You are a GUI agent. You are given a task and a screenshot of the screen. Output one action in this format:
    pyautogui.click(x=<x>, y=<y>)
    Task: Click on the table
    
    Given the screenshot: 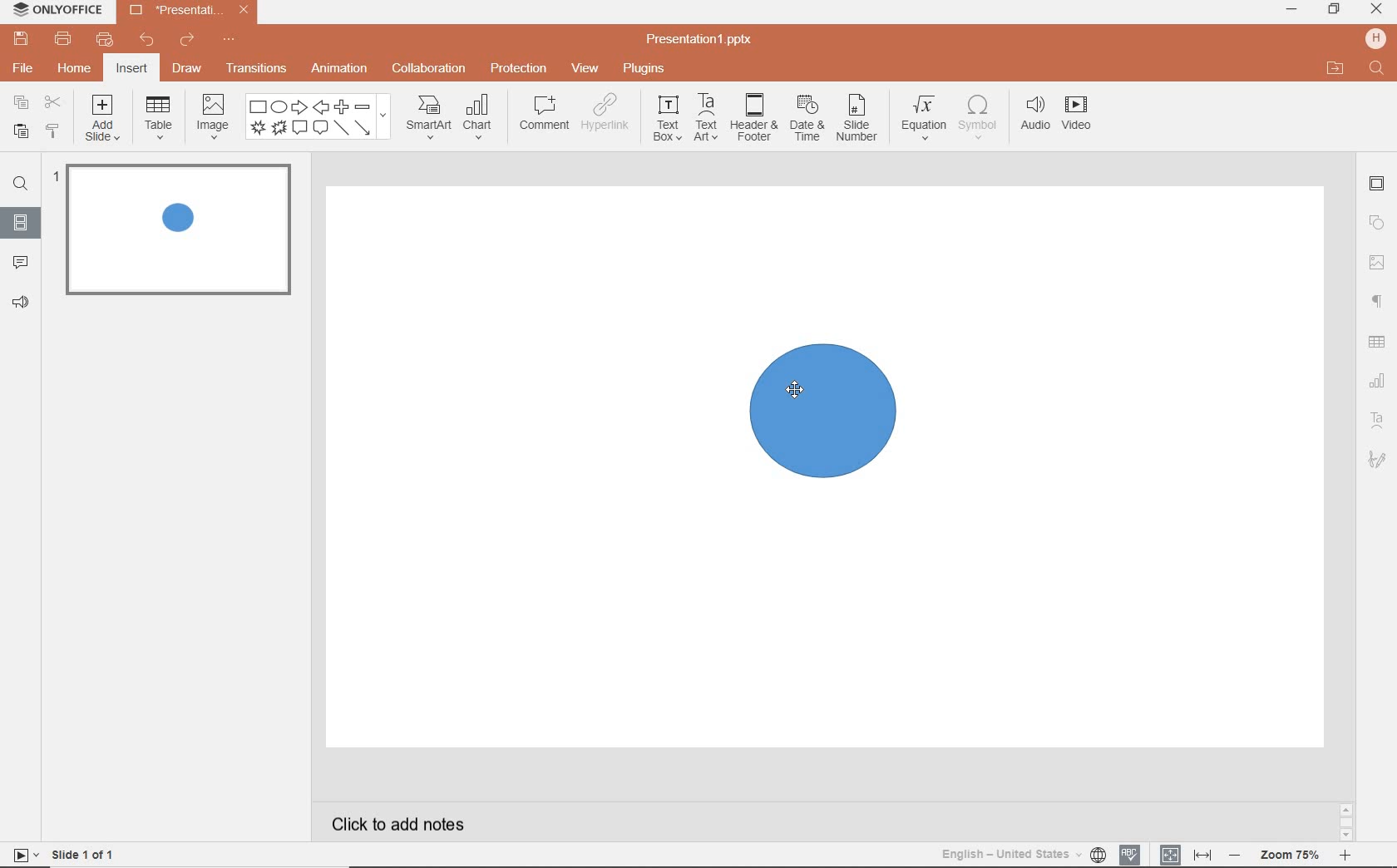 What is the action you would take?
    pyautogui.click(x=158, y=119)
    